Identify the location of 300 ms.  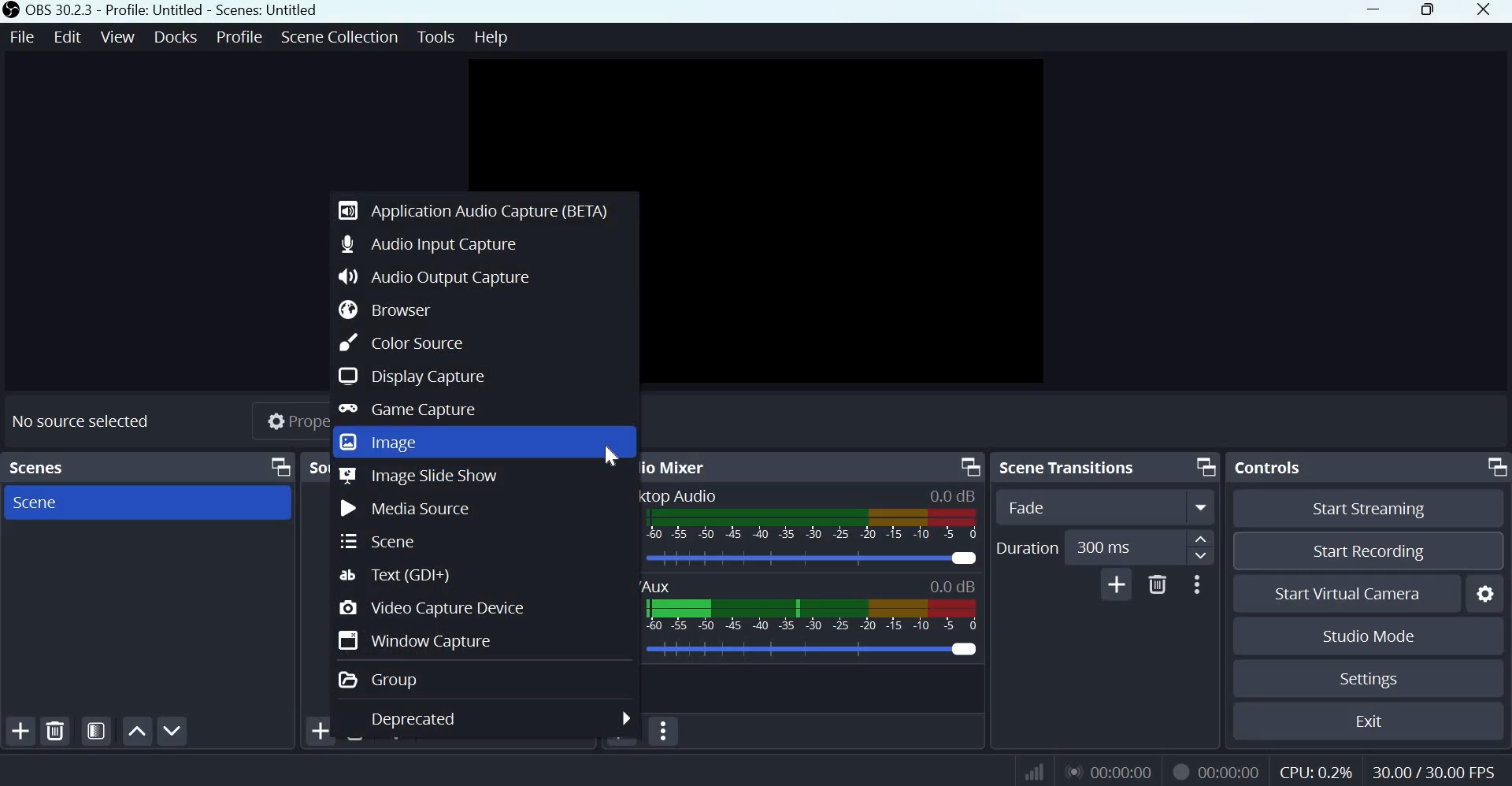
(1127, 549).